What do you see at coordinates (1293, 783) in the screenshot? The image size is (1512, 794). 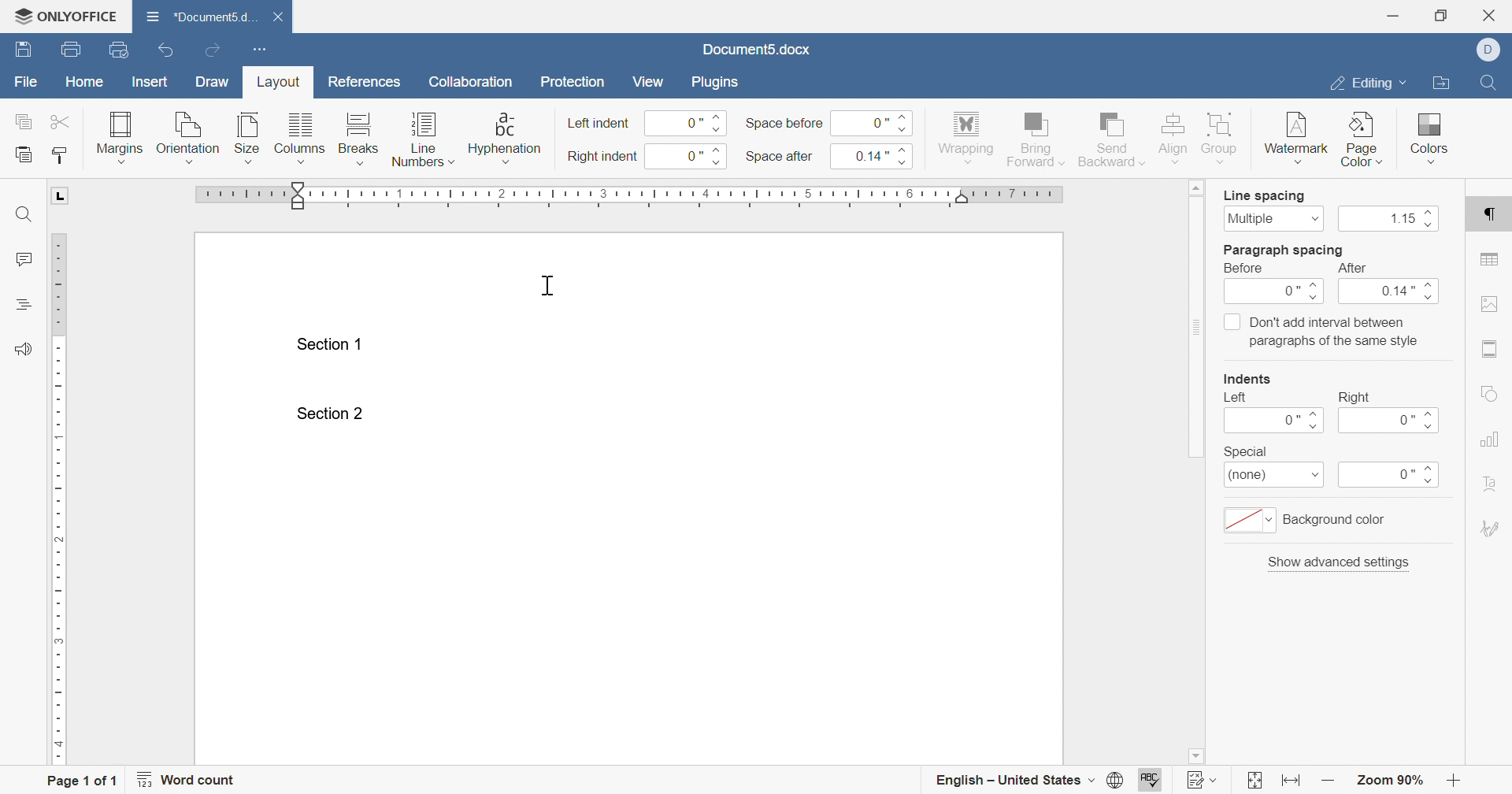 I see `fit to width` at bounding box center [1293, 783].